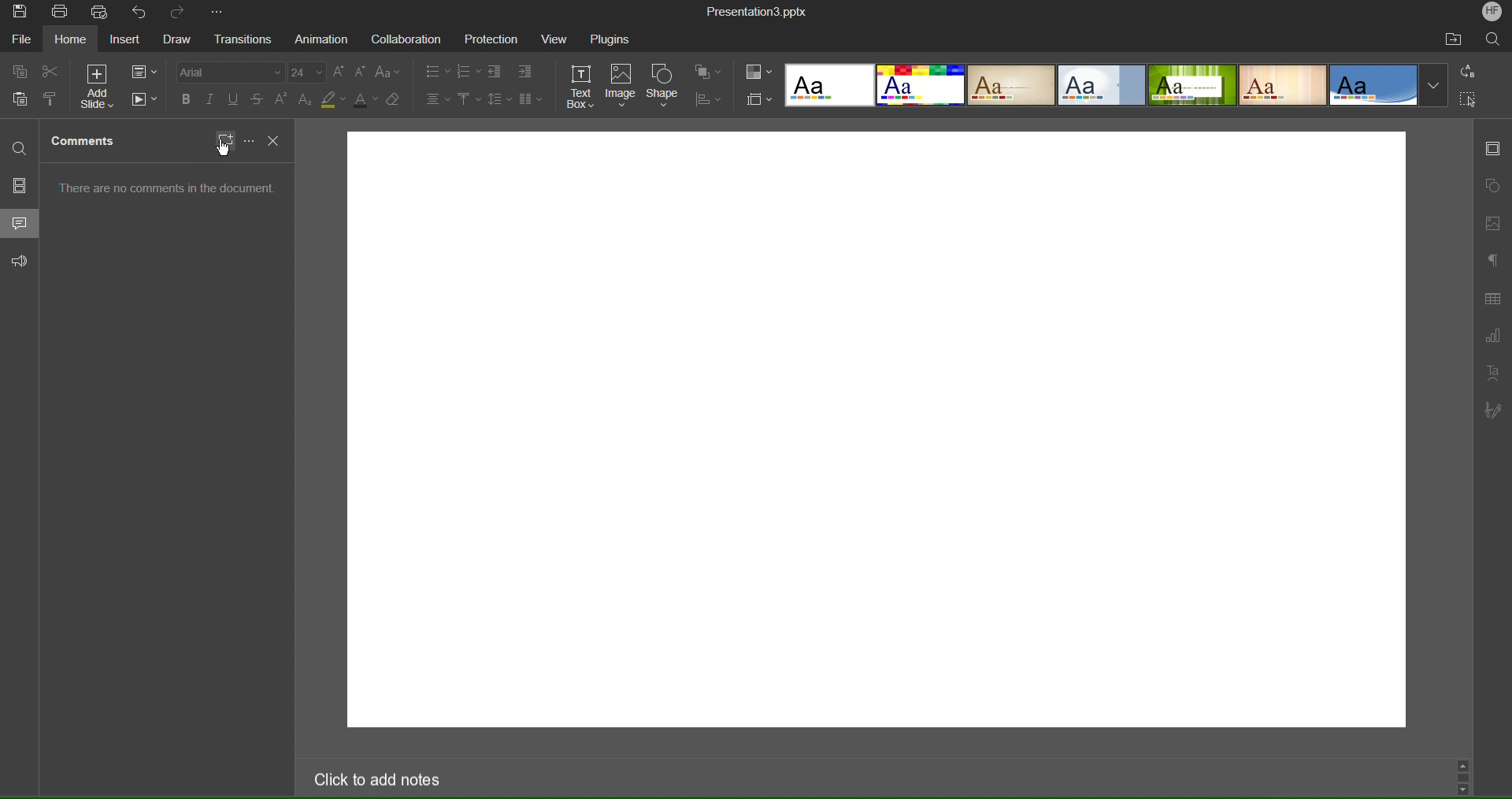 Image resolution: width=1512 pixels, height=799 pixels. Describe the element at coordinates (1116, 87) in the screenshot. I see `Slide Templates` at that location.